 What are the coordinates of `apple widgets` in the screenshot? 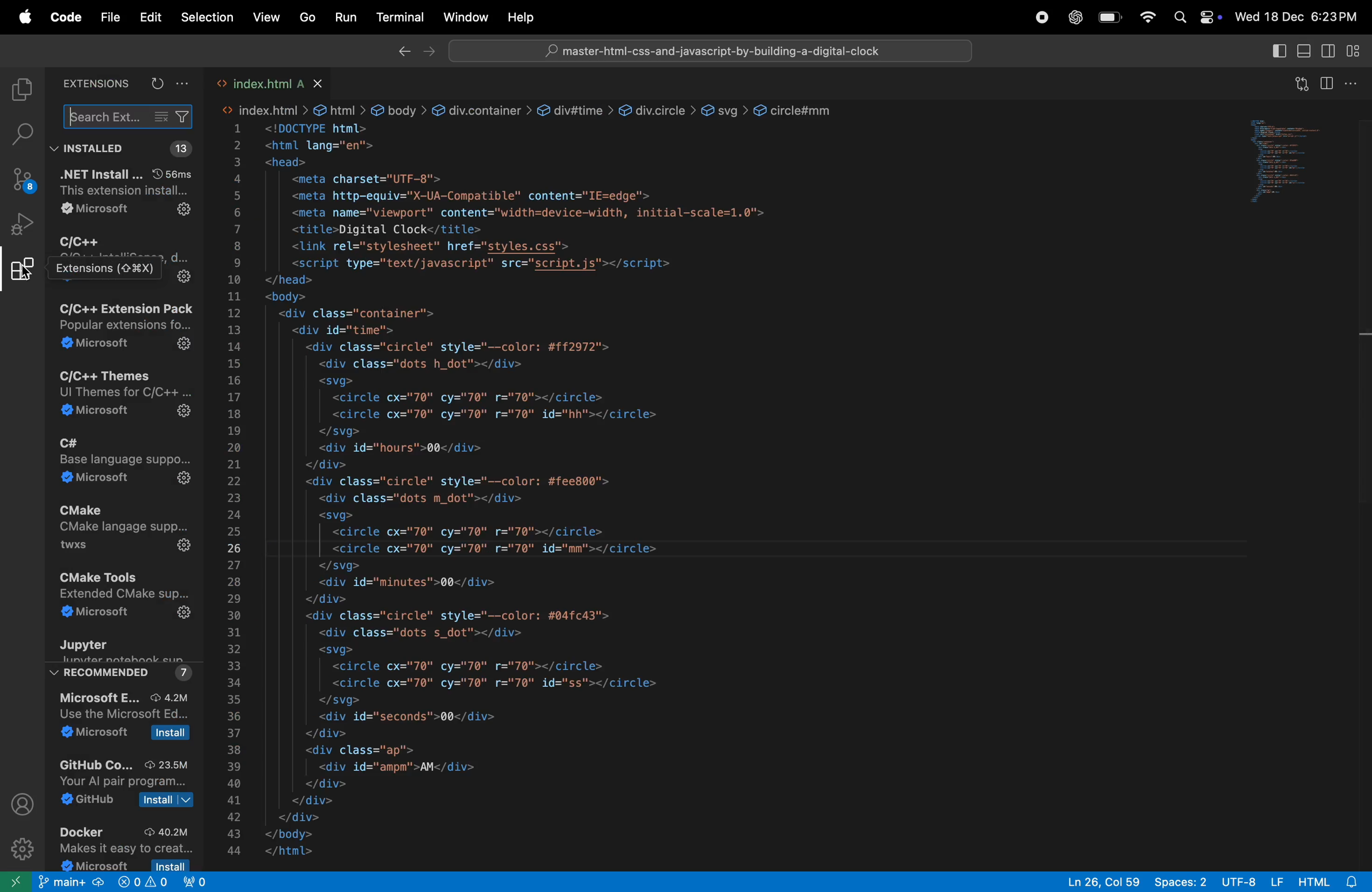 It's located at (1197, 17).